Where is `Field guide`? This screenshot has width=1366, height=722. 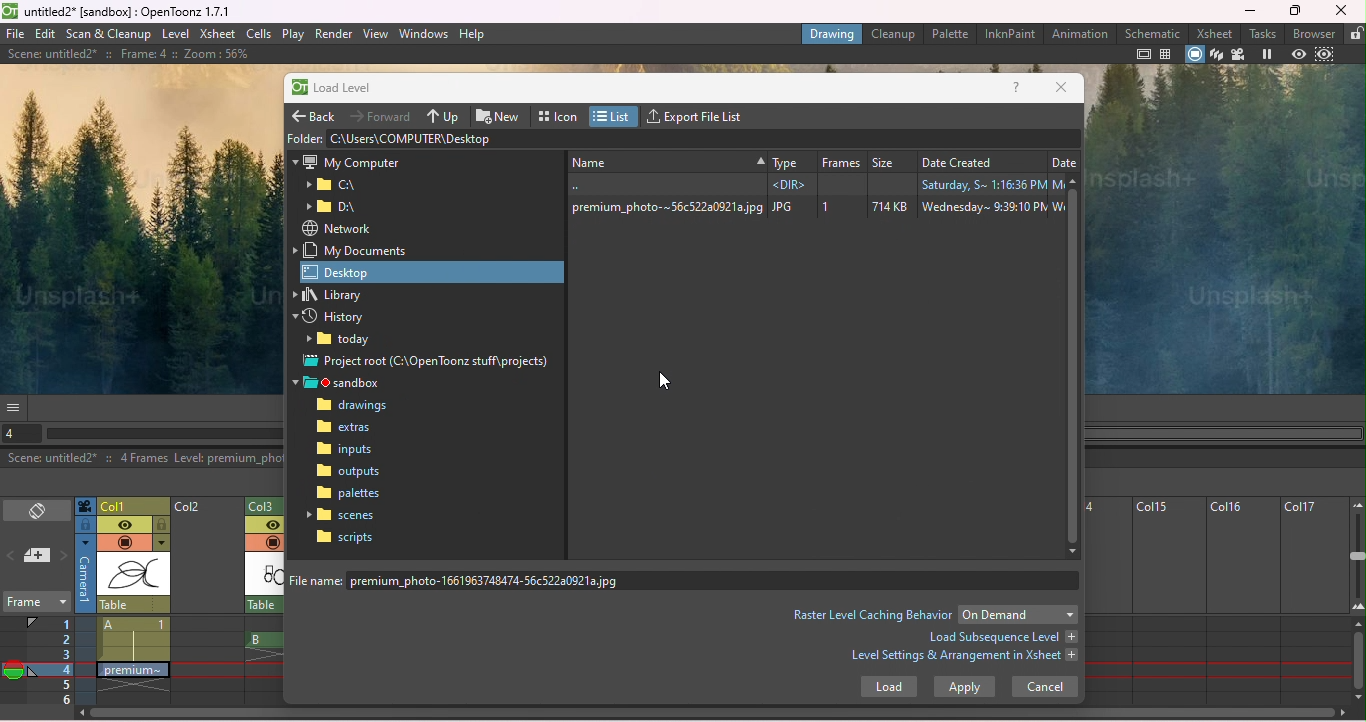 Field guide is located at coordinates (1169, 54).